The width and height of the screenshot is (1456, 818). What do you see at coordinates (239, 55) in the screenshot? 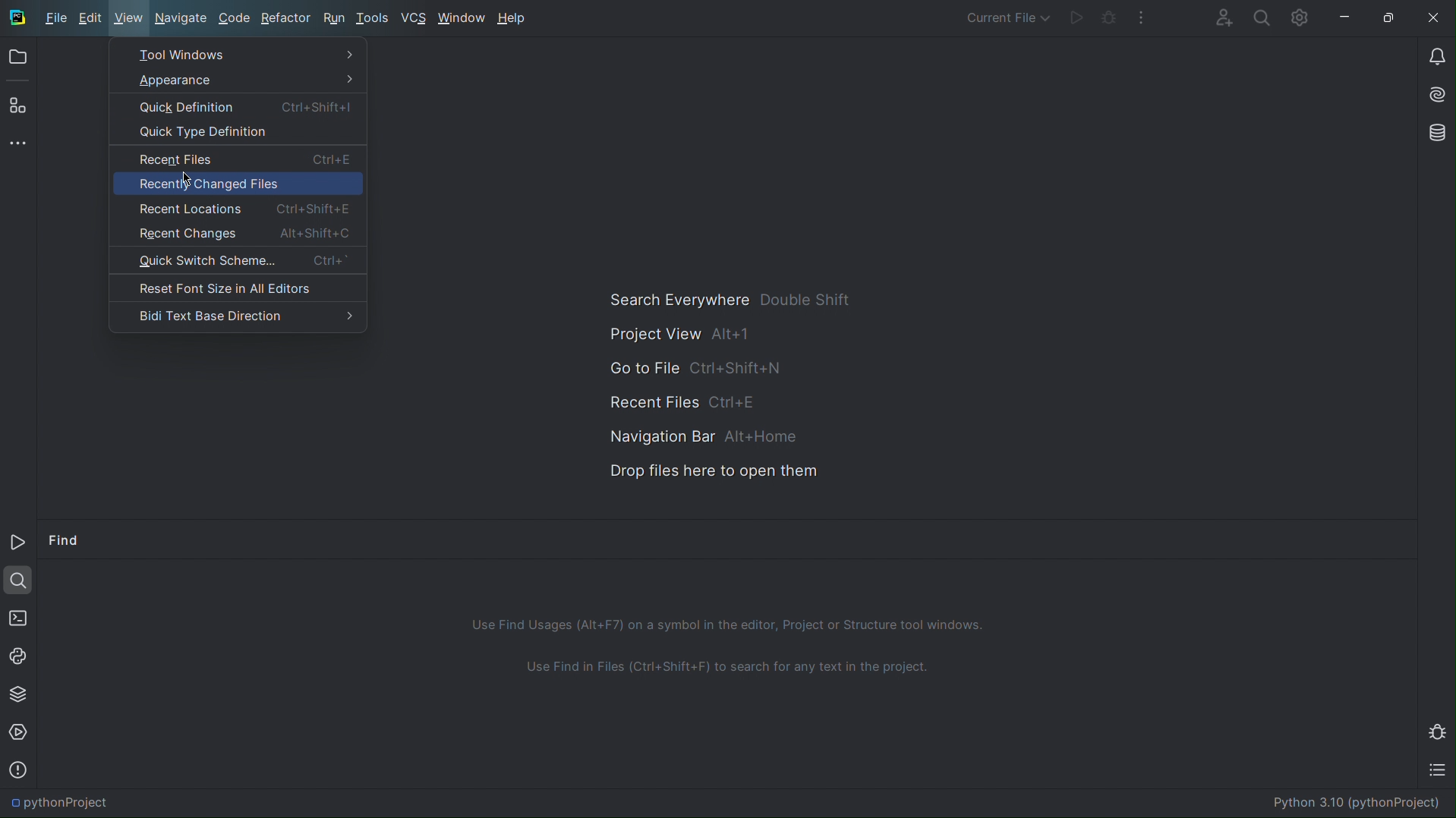
I see `Tool Windows` at bounding box center [239, 55].